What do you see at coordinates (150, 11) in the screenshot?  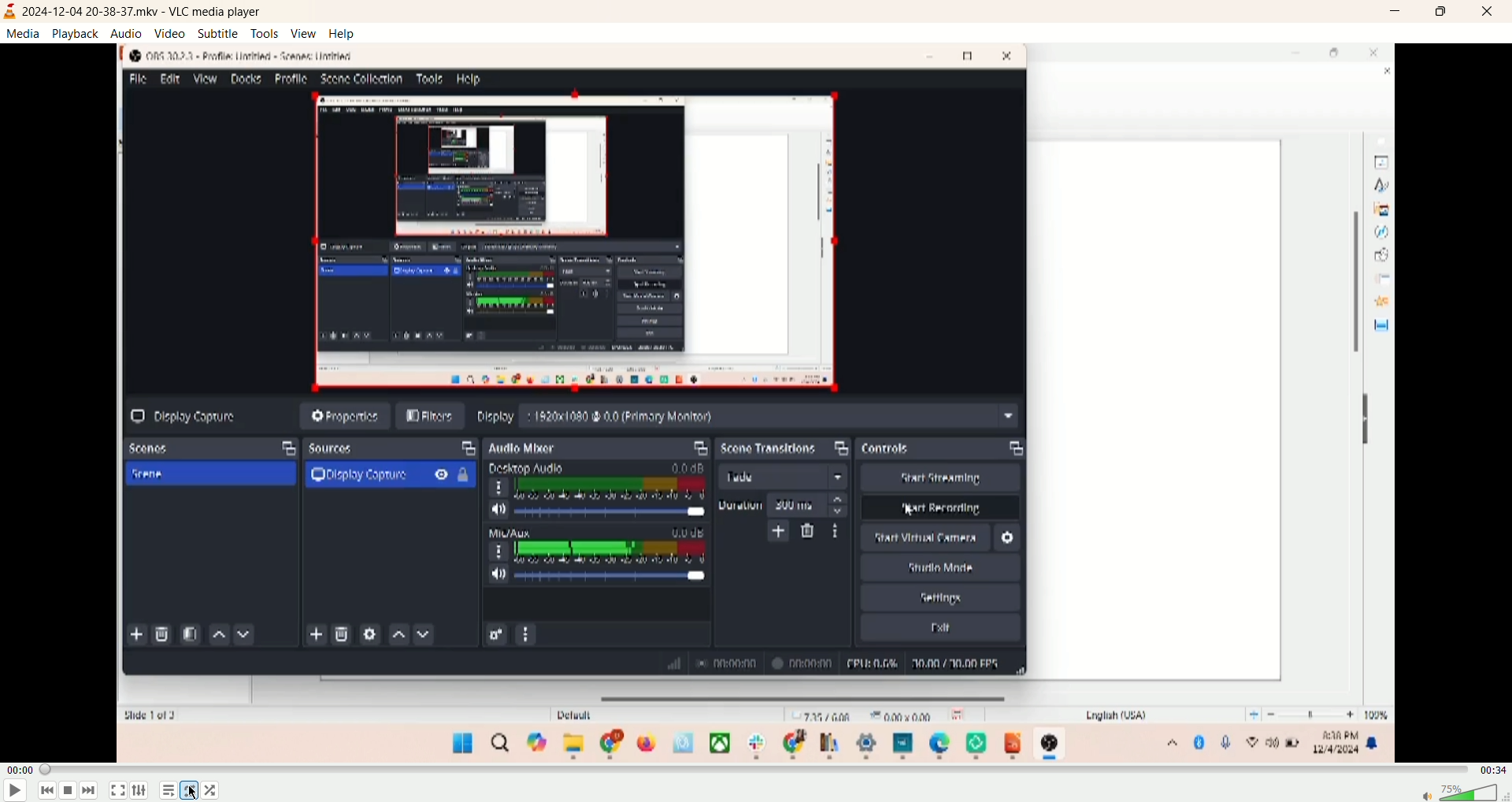 I see `2024-12-04 20-38-37.mkv - VLC media player` at bounding box center [150, 11].